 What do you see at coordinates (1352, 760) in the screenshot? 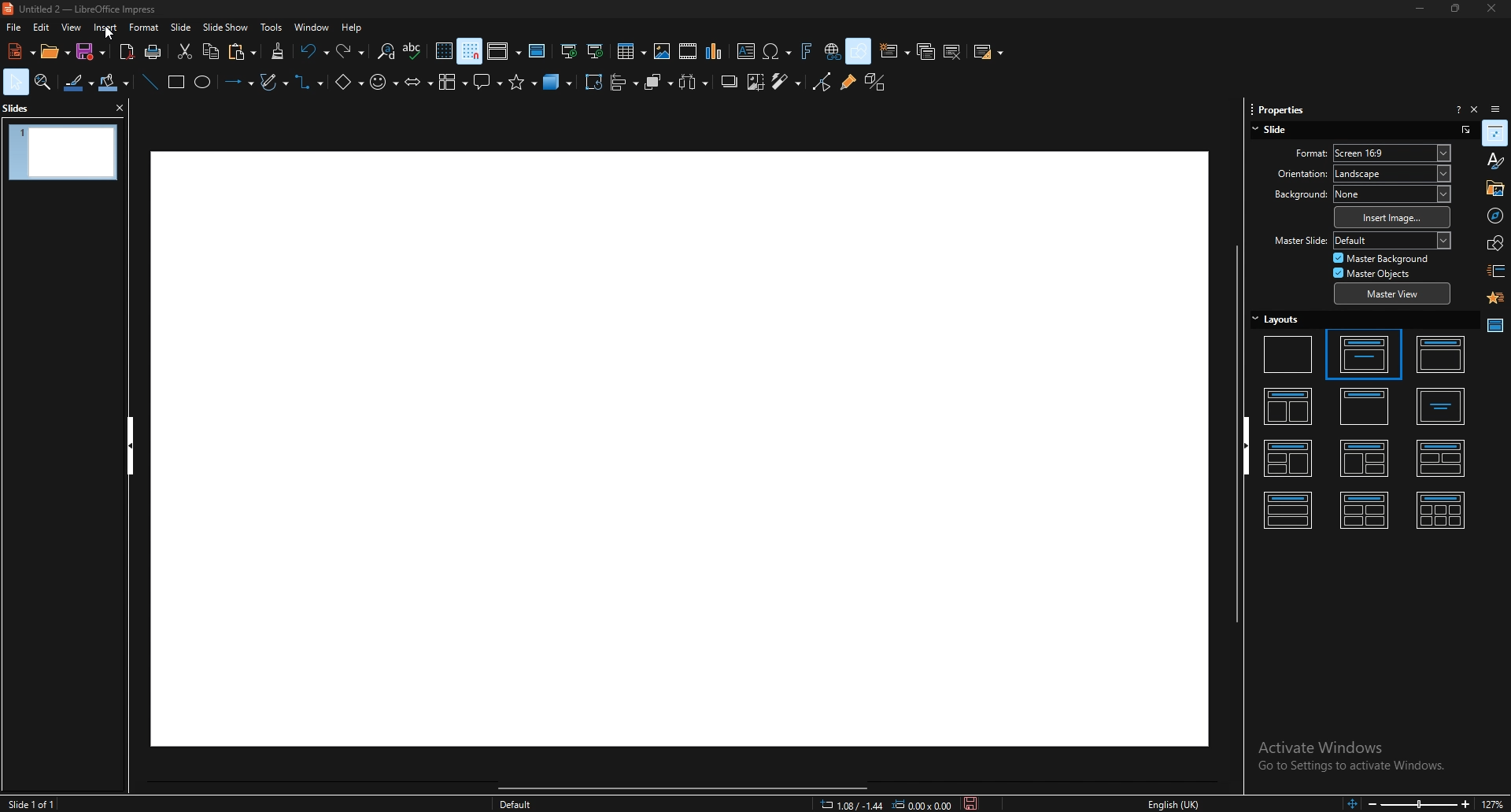
I see `Activate Windows
Go to Settings to activate Windows.` at bounding box center [1352, 760].